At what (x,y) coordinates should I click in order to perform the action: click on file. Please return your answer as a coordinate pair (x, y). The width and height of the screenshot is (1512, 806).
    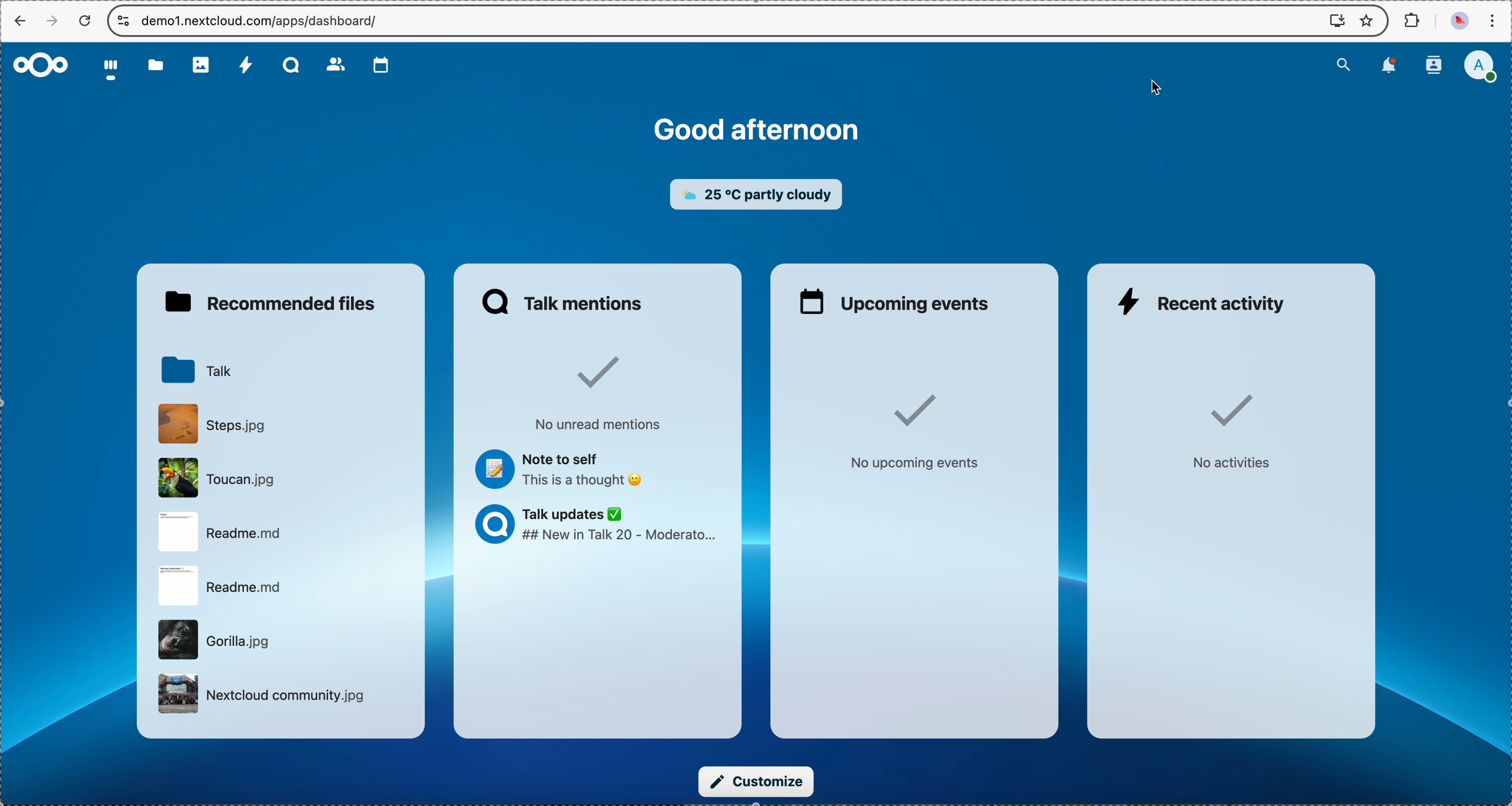
    Looking at the image, I should click on (215, 479).